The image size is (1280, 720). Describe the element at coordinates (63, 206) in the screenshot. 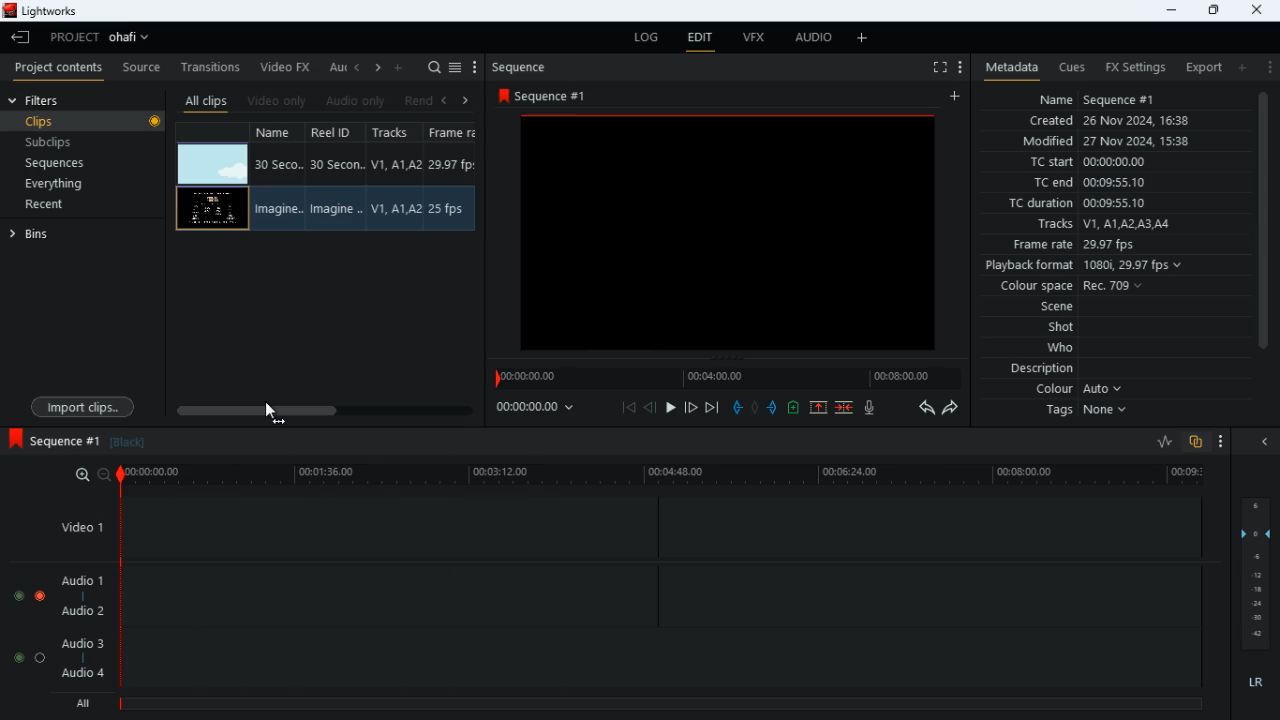

I see `recent` at that location.